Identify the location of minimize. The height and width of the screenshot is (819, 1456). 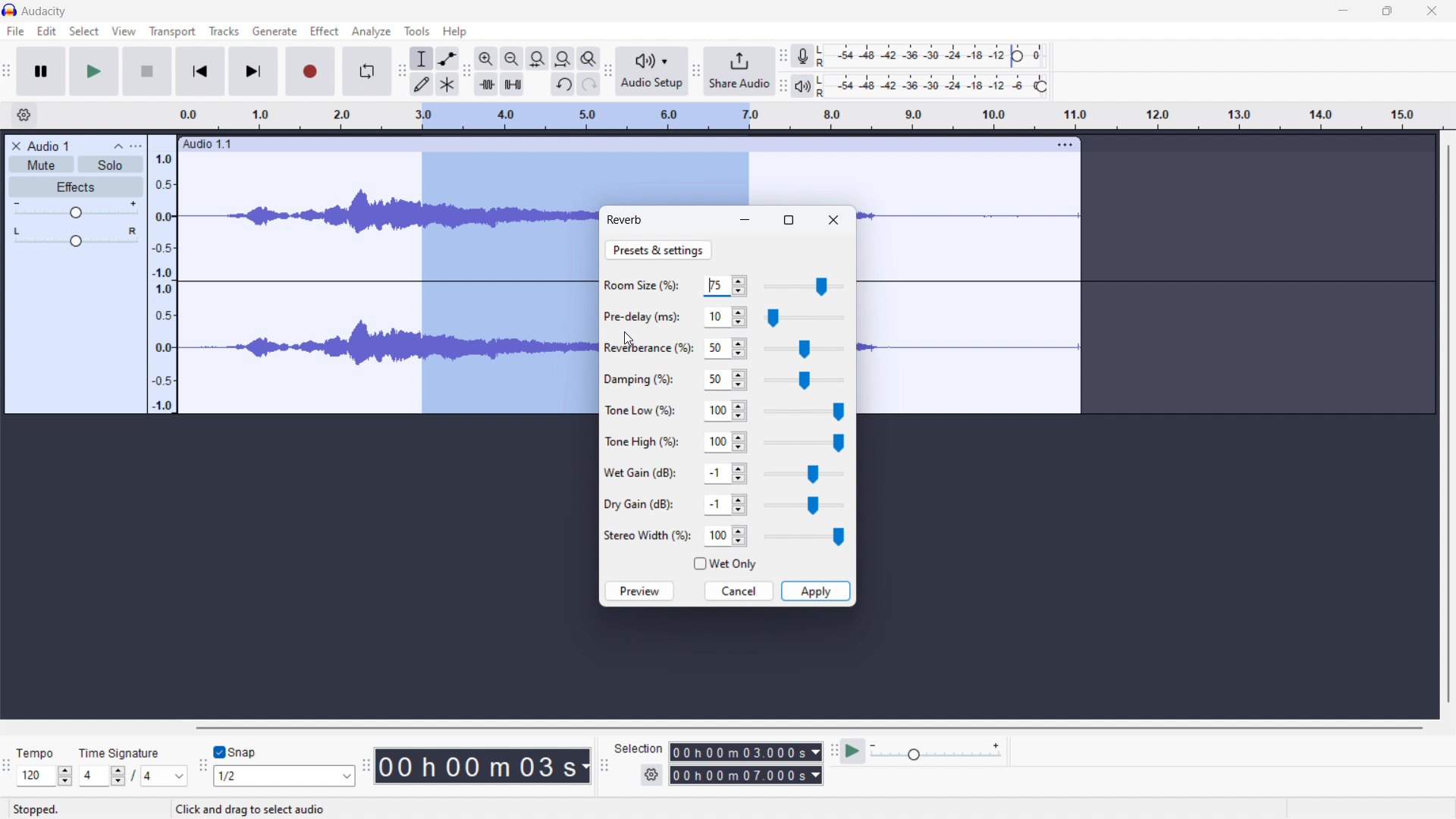
(747, 221).